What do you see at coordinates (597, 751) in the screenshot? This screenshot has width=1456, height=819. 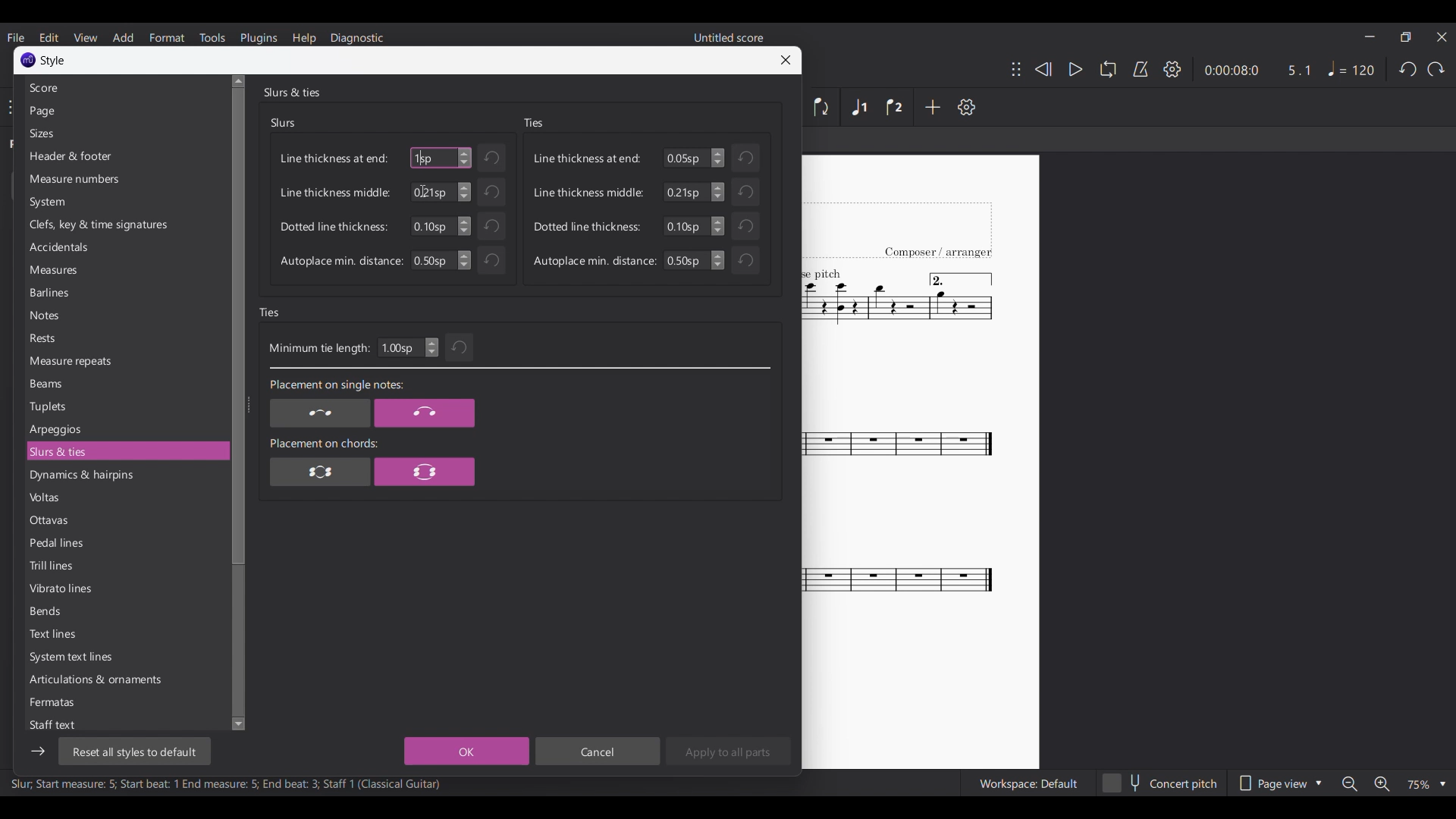 I see `Cancel` at bounding box center [597, 751].